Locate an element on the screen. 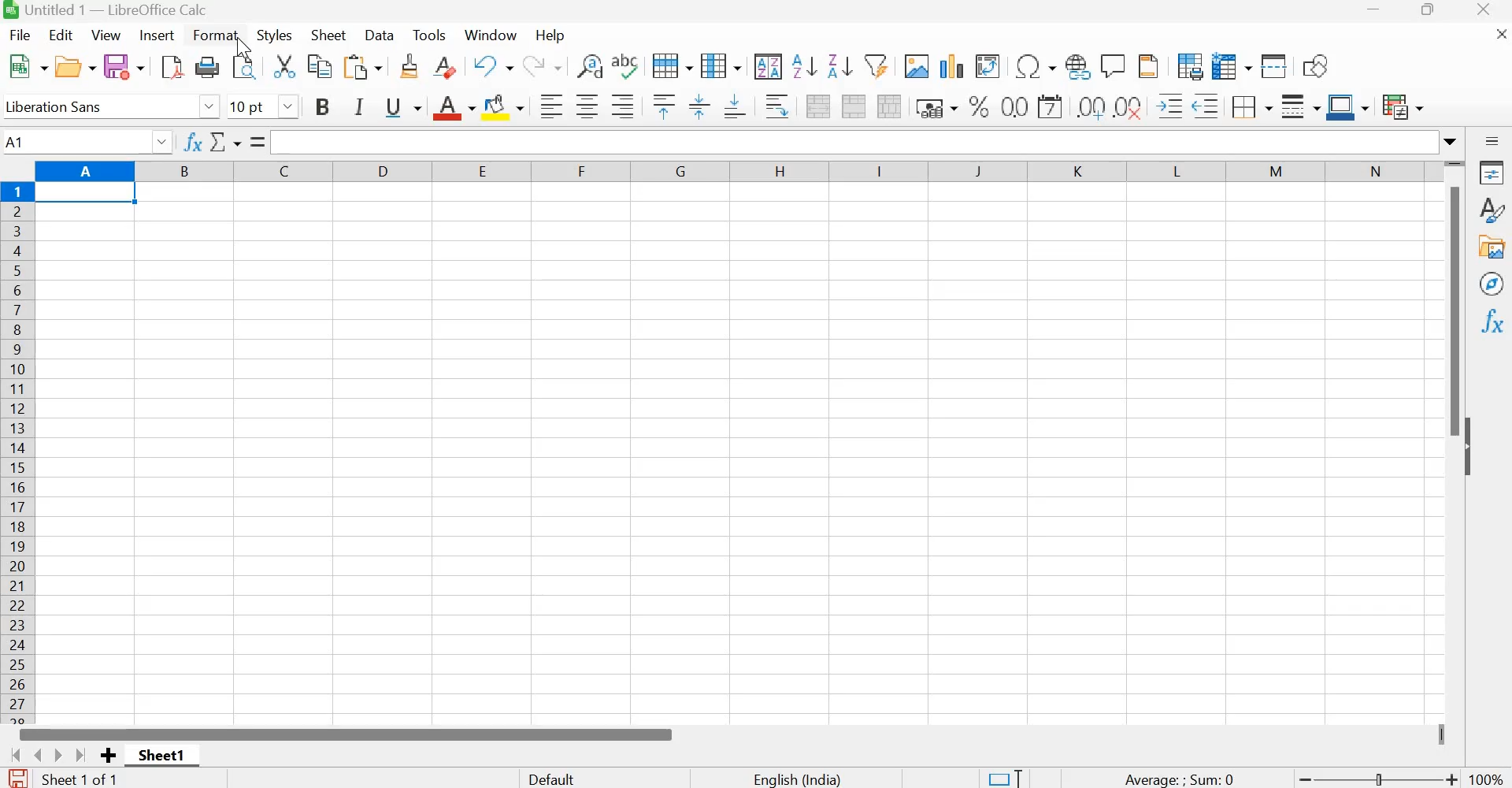  Center vertically is located at coordinates (698, 107).